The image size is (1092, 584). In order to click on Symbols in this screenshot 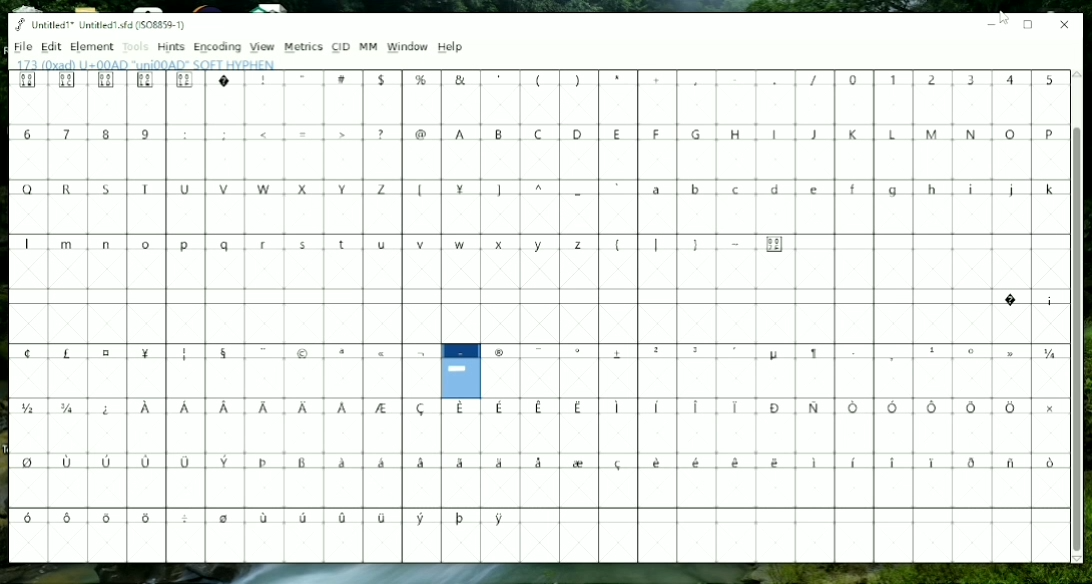, I will do `click(701, 245)`.